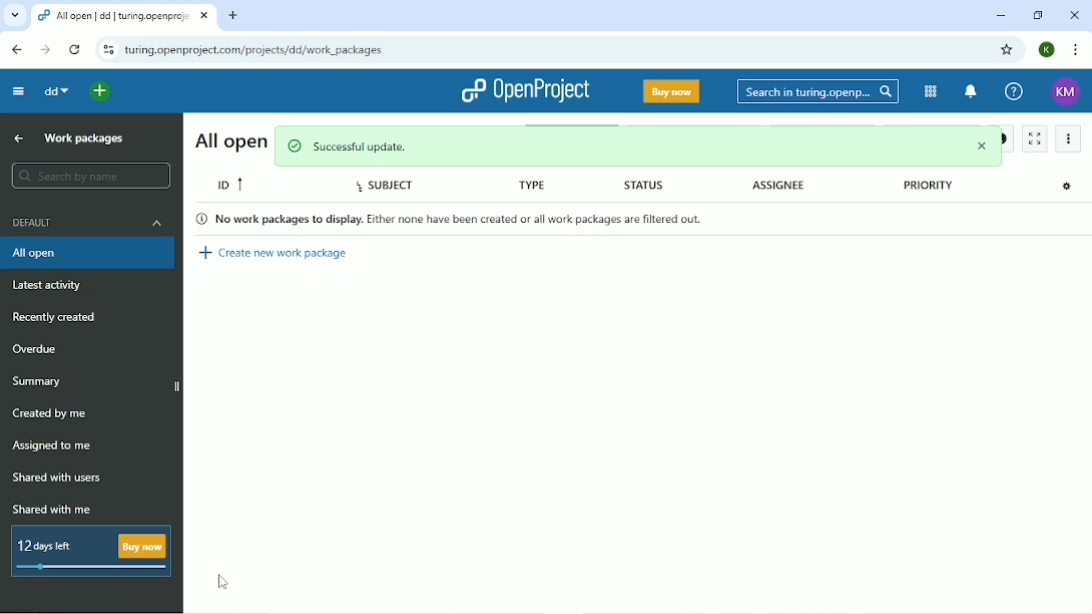 The image size is (1092, 614). What do you see at coordinates (107, 50) in the screenshot?
I see `View site information` at bounding box center [107, 50].